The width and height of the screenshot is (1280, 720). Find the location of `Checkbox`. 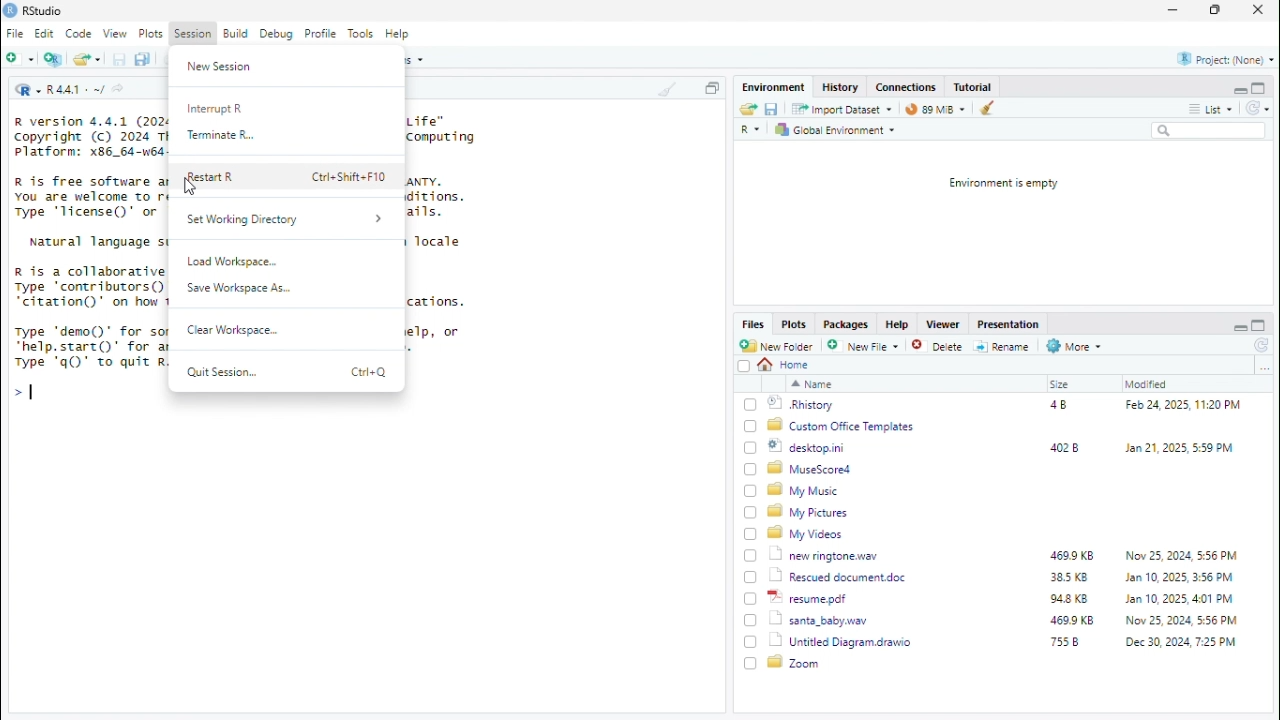

Checkbox is located at coordinates (751, 491).